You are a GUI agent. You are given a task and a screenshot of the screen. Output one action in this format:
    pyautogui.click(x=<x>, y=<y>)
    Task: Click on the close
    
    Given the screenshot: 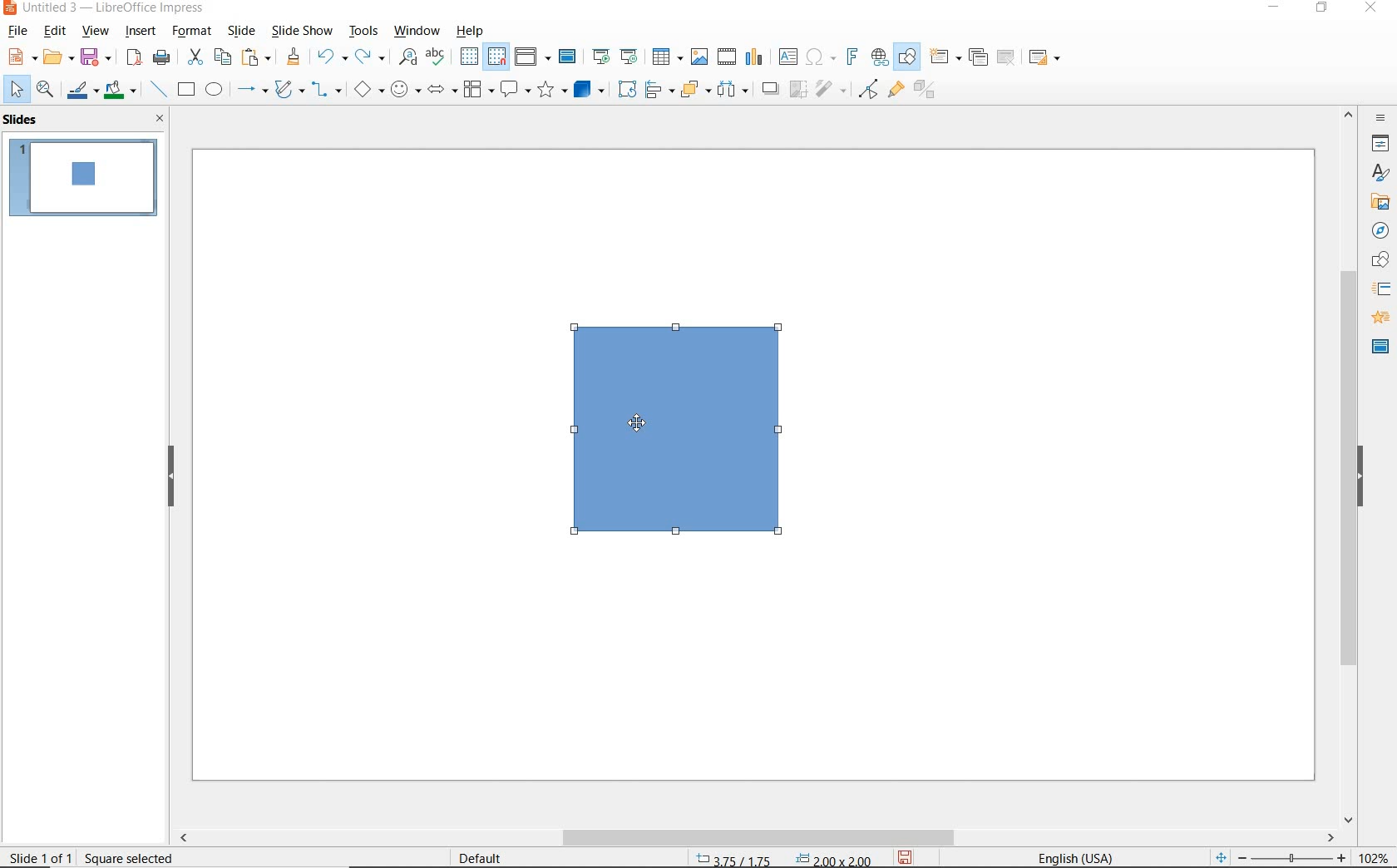 What is the action you would take?
    pyautogui.click(x=160, y=118)
    